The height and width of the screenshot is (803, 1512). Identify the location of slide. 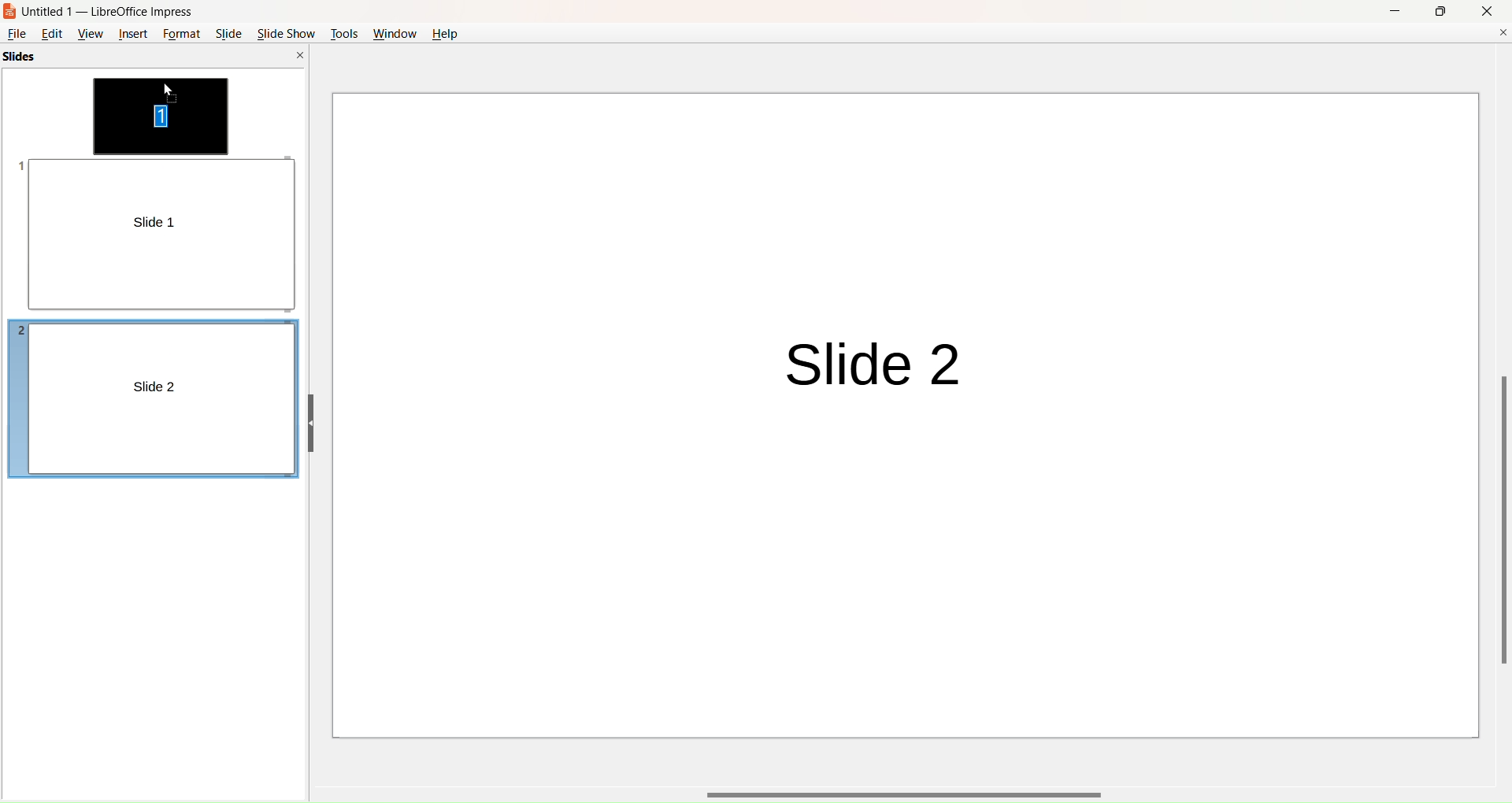
(228, 33).